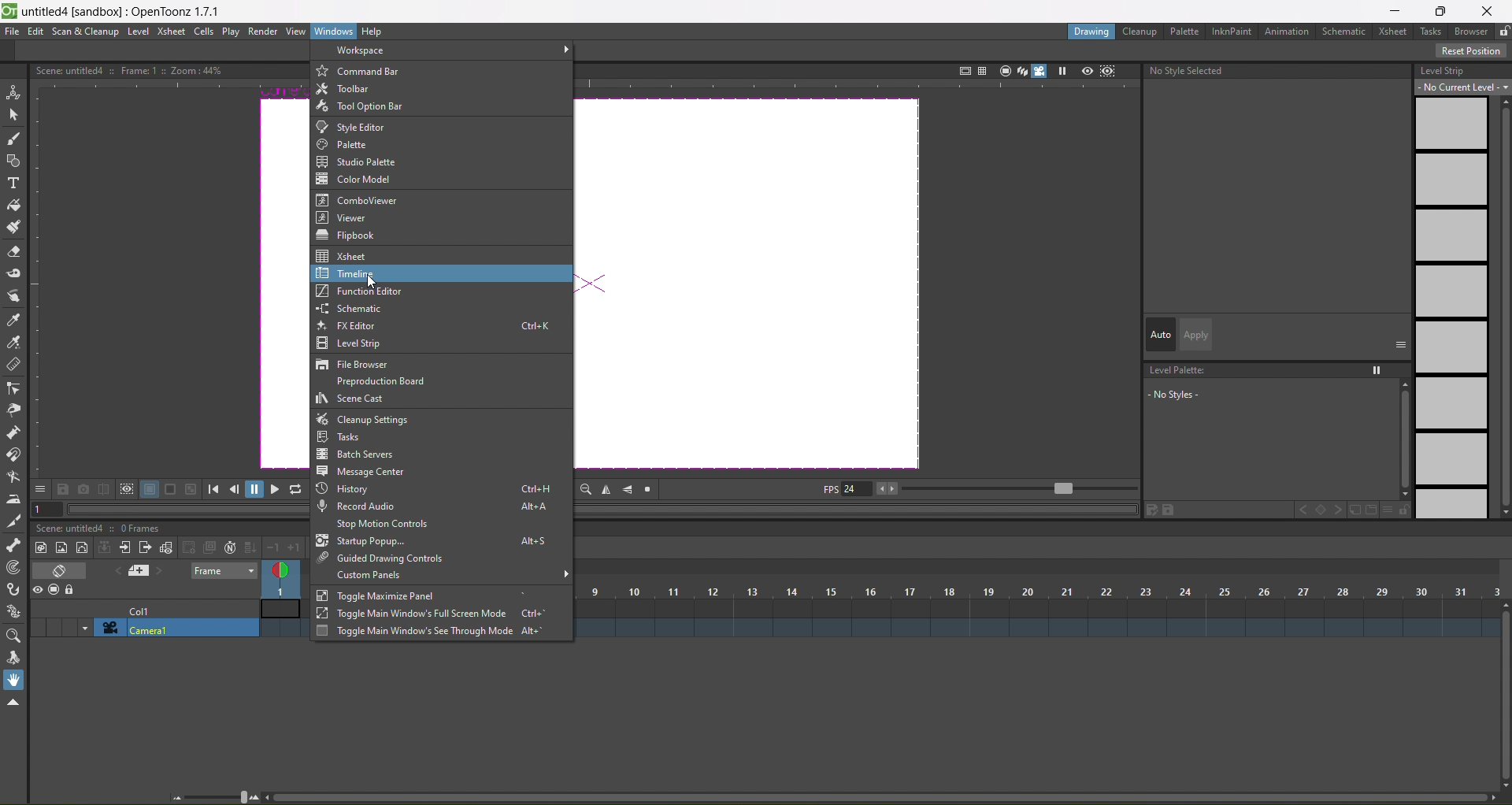 The height and width of the screenshot is (805, 1512). I want to click on tasks, so click(1433, 31).